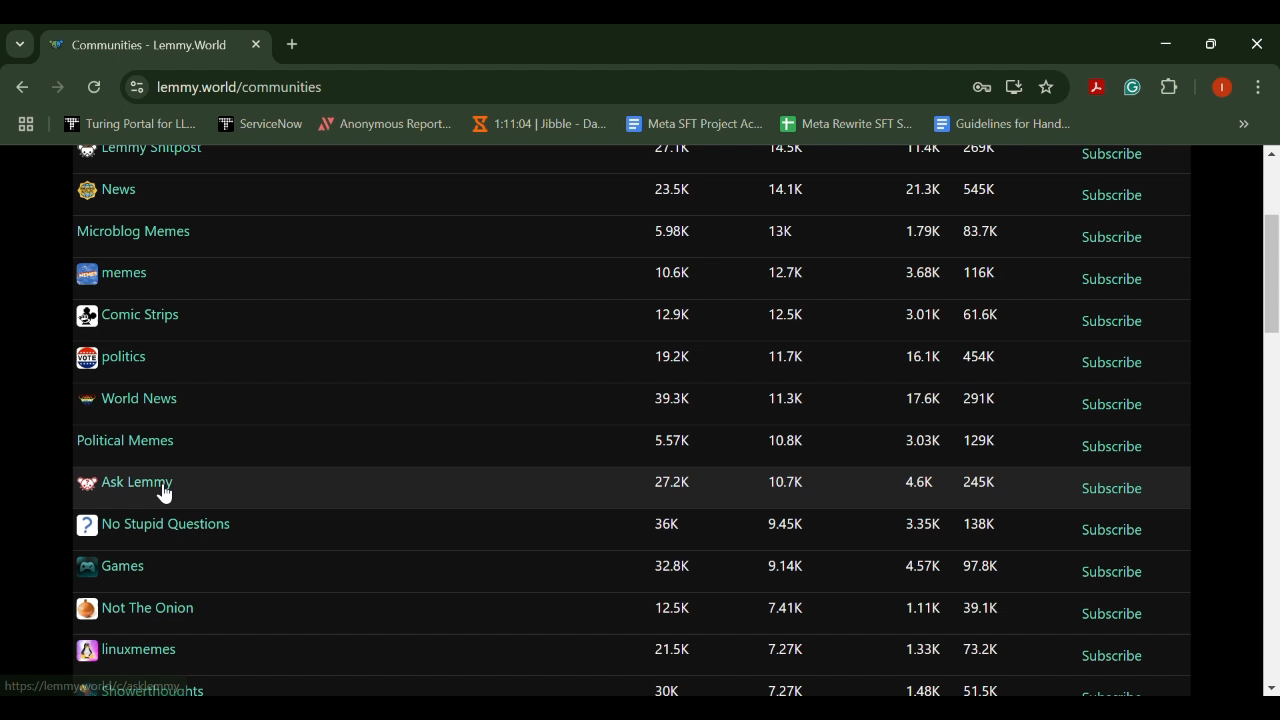  Describe the element at coordinates (1110, 156) in the screenshot. I see `Subscribe` at that location.